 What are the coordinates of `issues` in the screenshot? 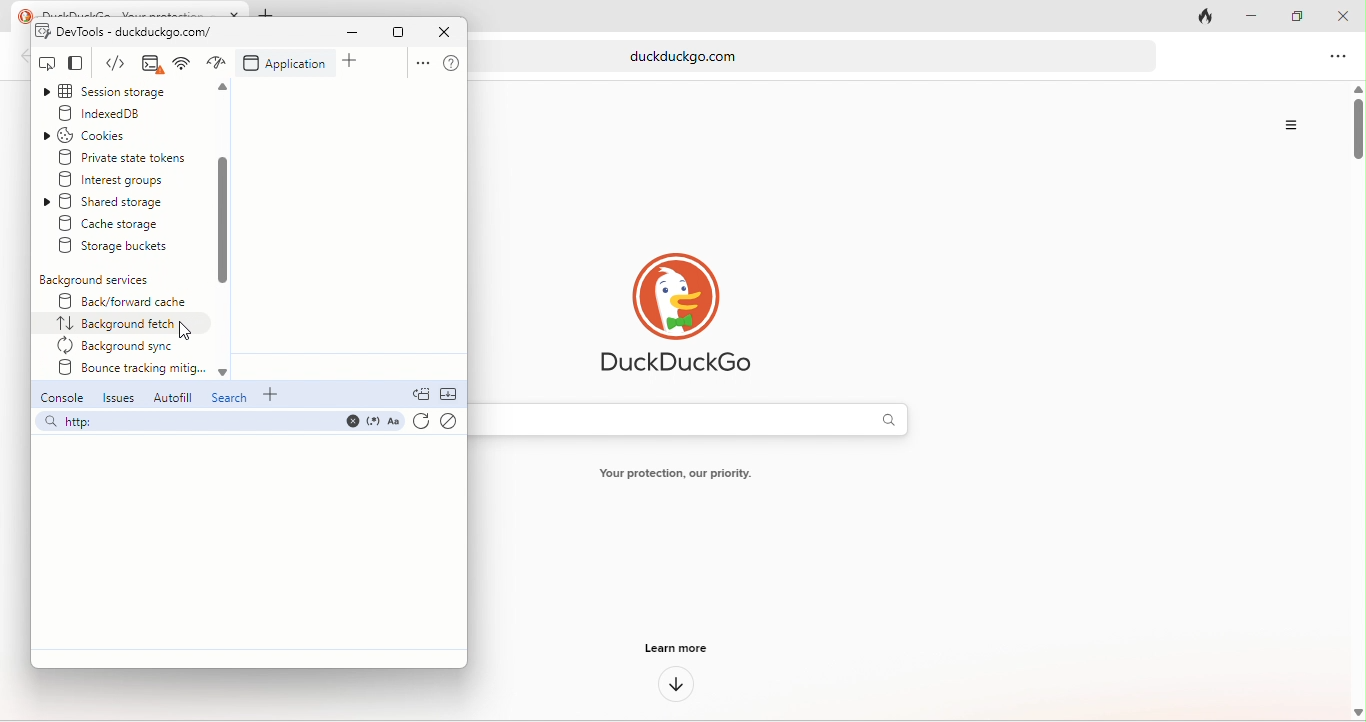 It's located at (119, 399).